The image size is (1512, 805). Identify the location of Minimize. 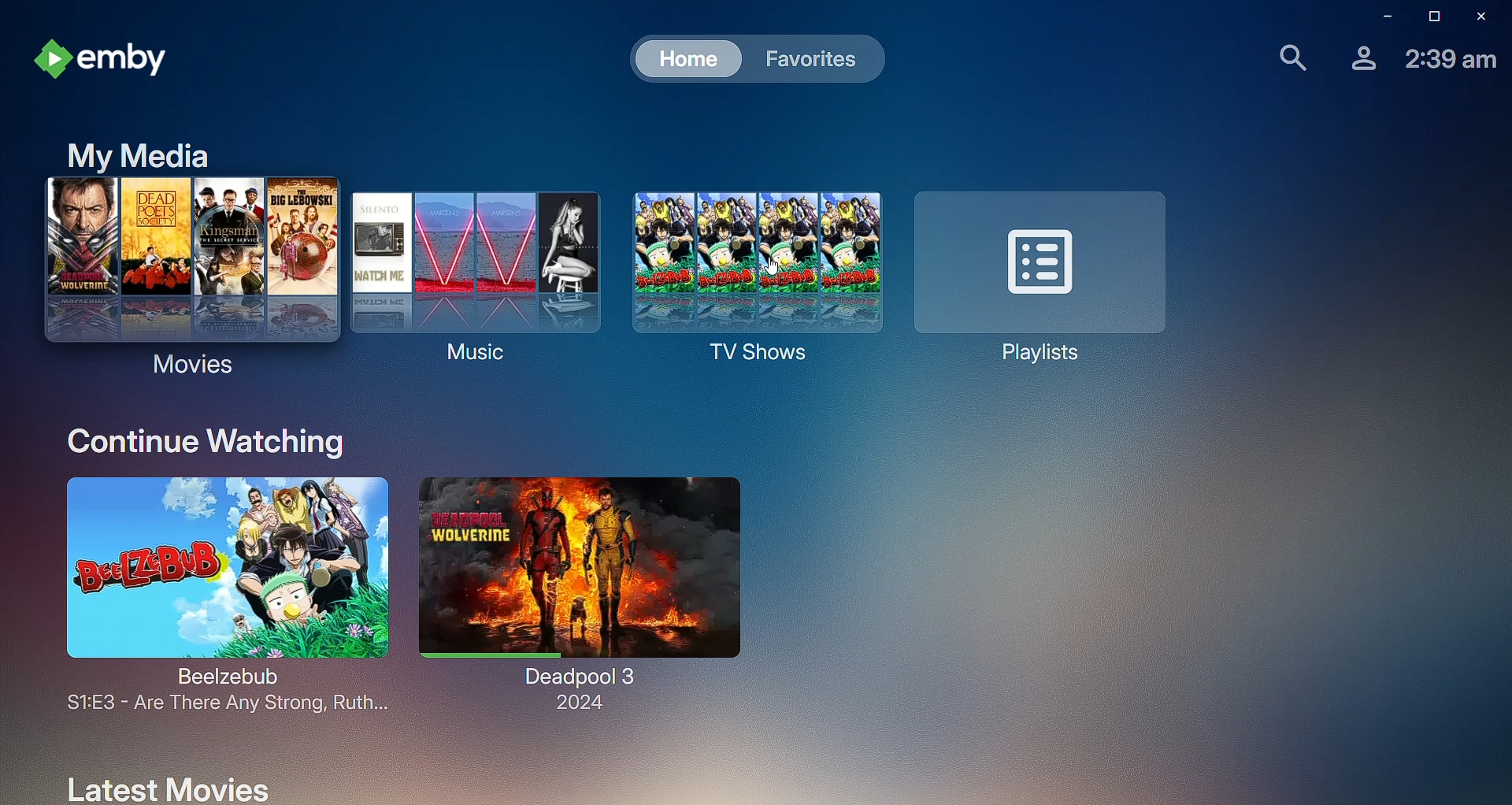
(1380, 17).